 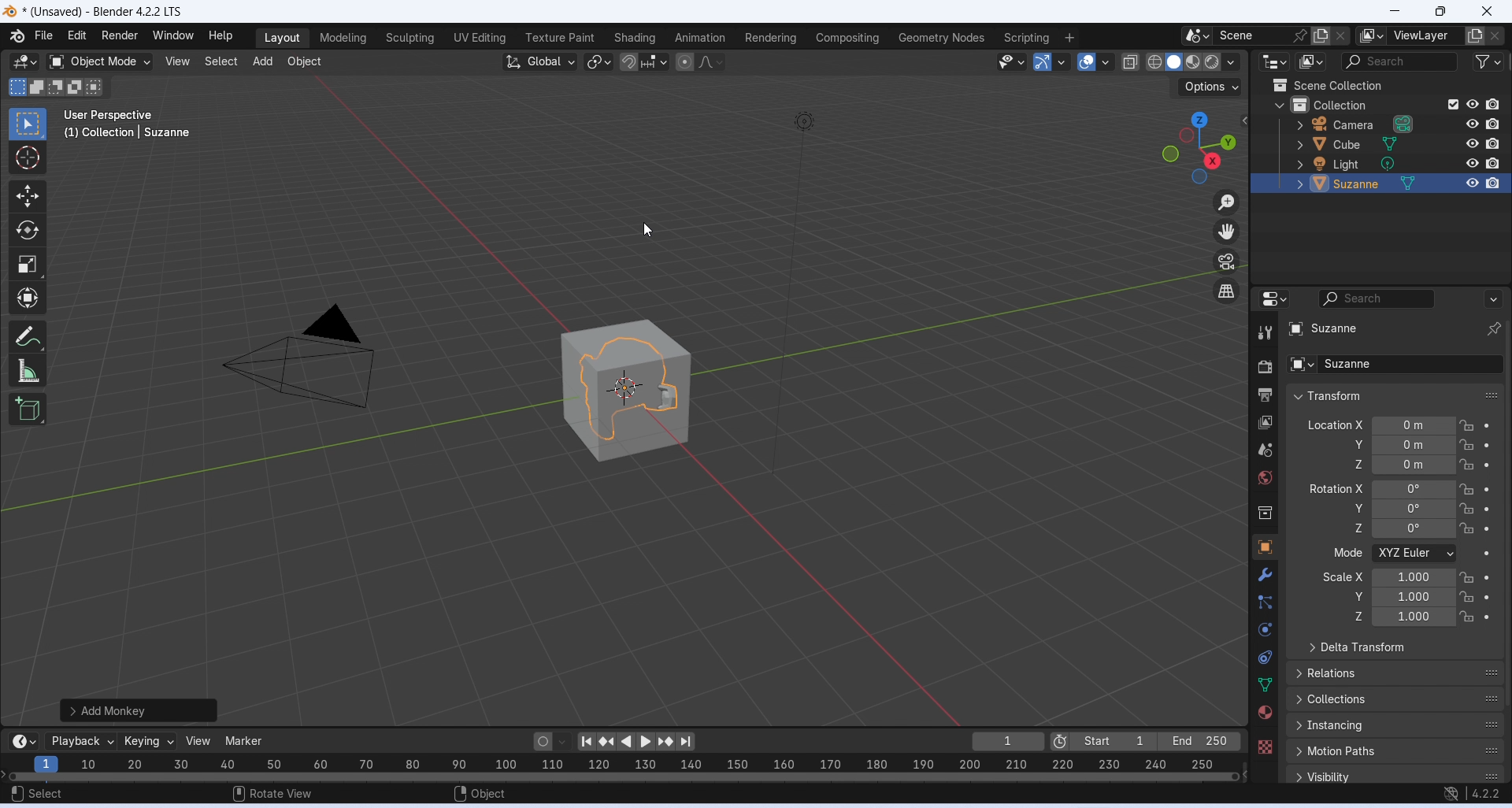 I want to click on animate property, so click(x=1488, y=425).